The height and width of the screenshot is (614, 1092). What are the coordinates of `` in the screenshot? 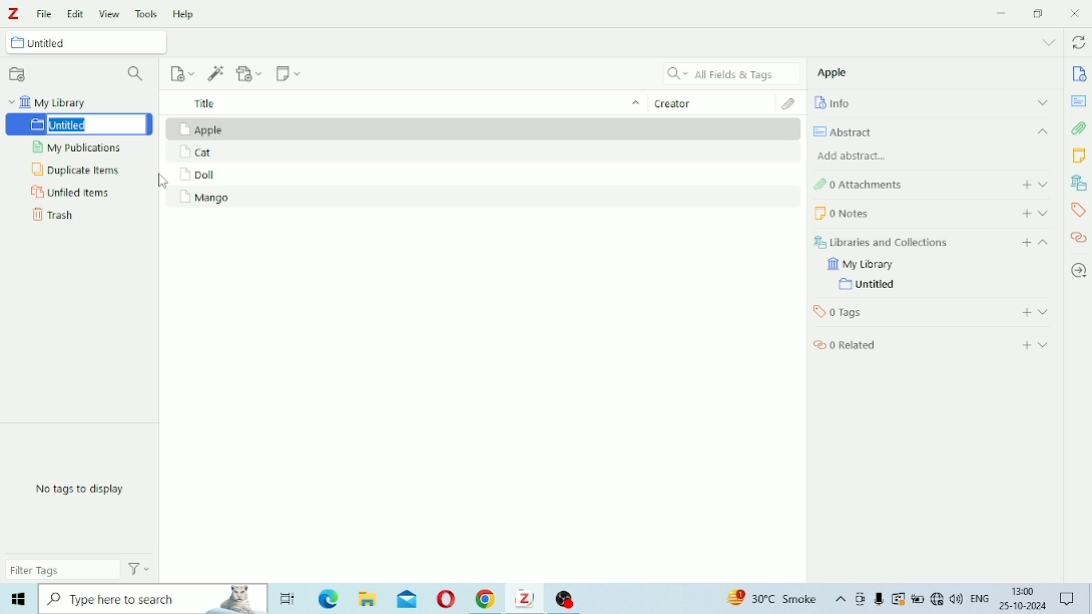 It's located at (766, 597).